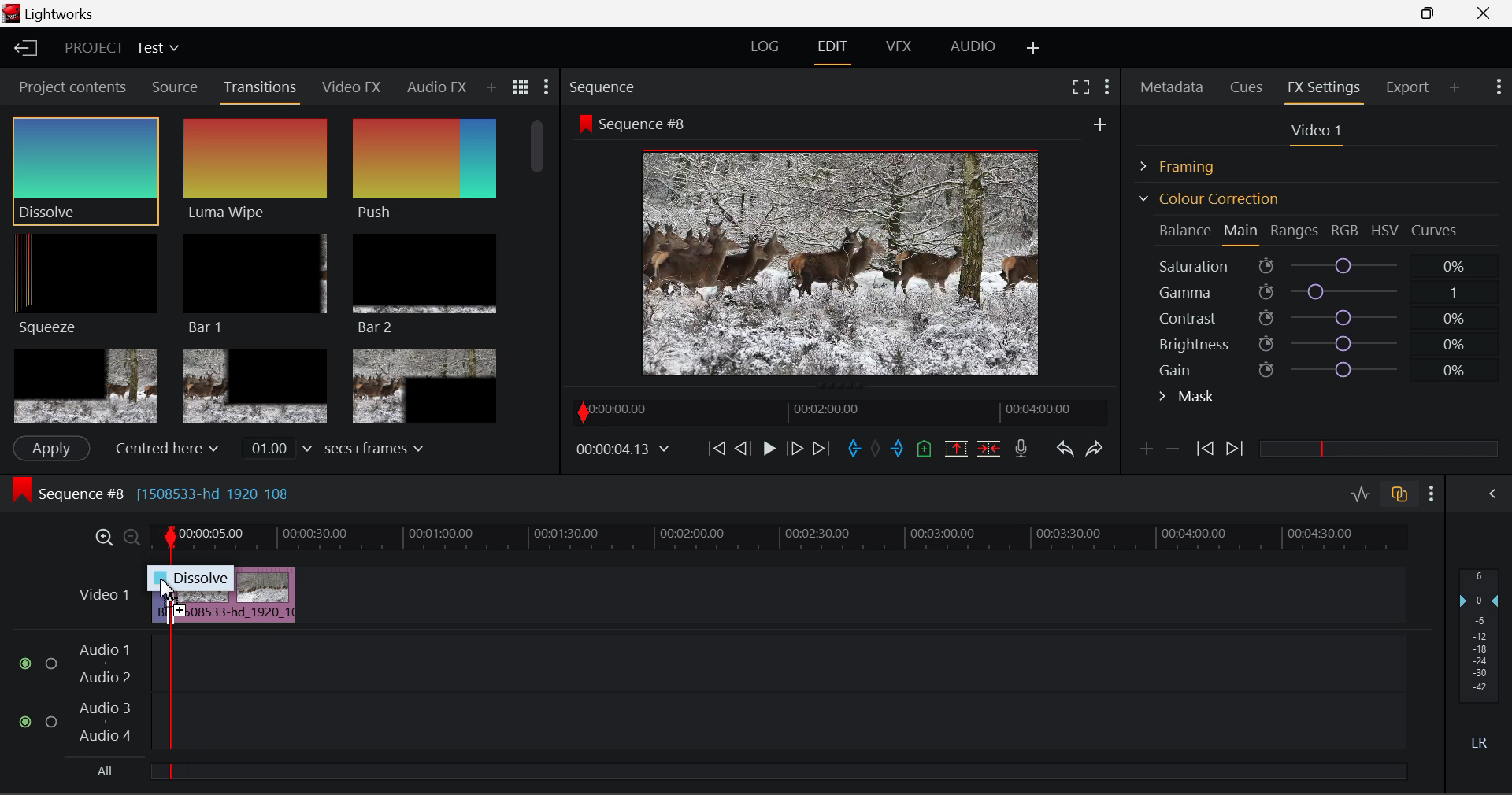  Describe the element at coordinates (1187, 230) in the screenshot. I see `Balance Section` at that location.